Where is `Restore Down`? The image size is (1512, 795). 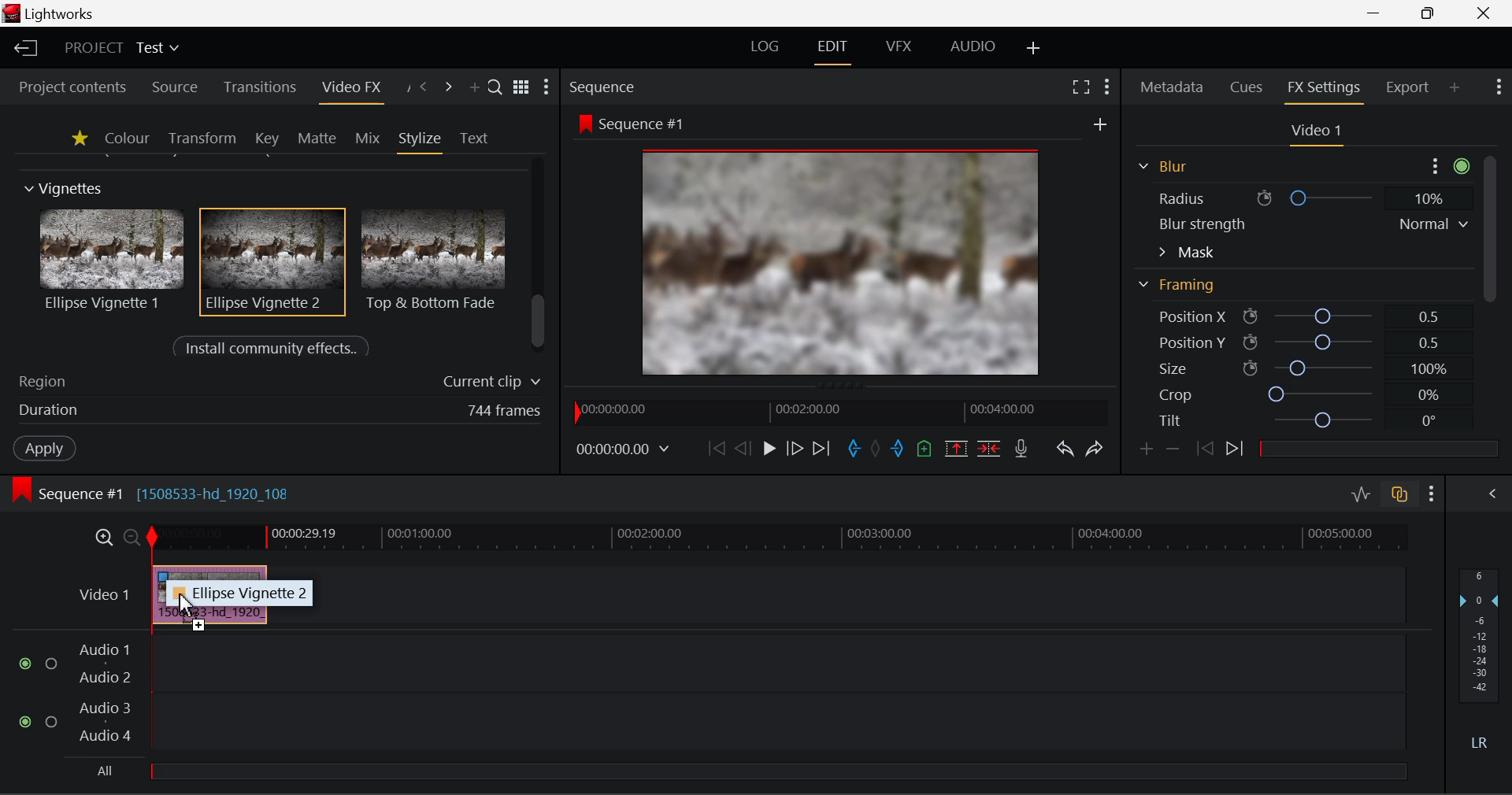
Restore Down is located at coordinates (1378, 13).